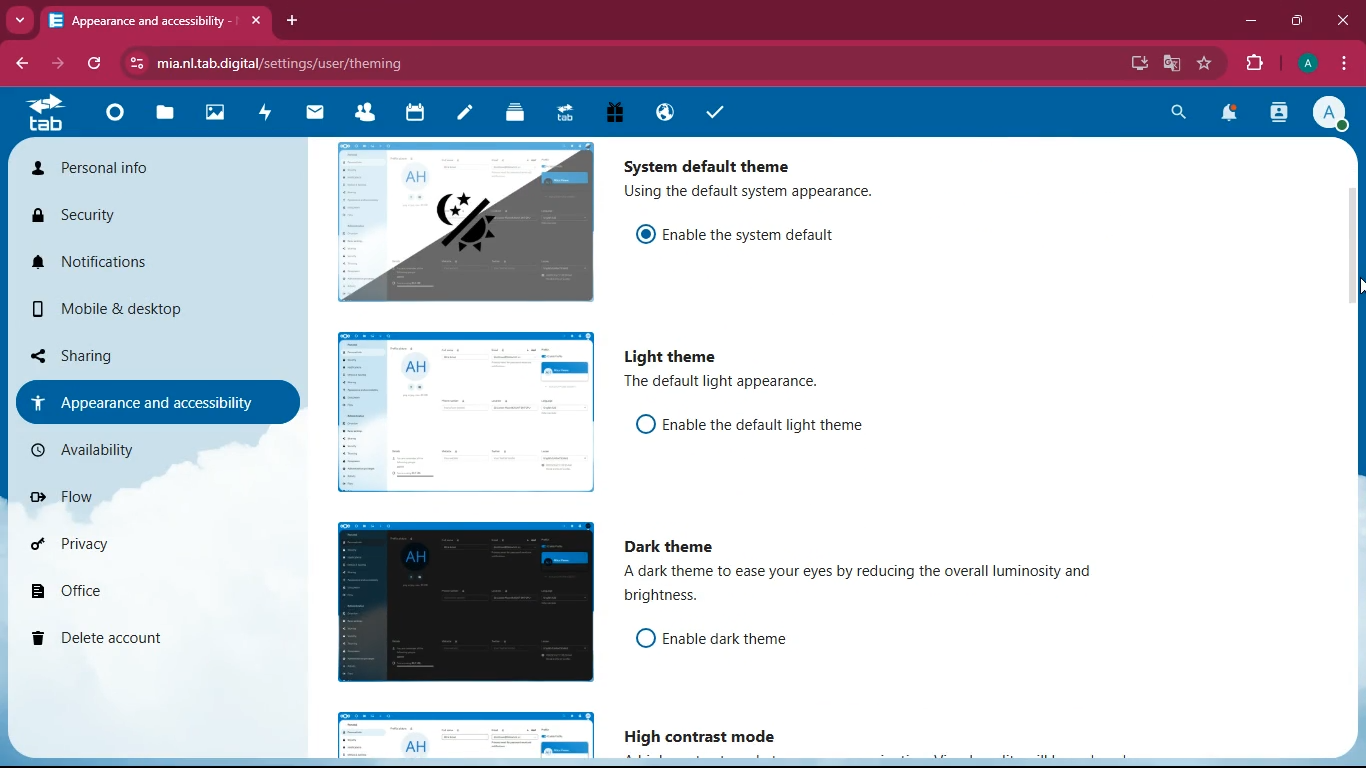 Image resolution: width=1366 pixels, height=768 pixels. What do you see at coordinates (415, 114) in the screenshot?
I see `calendar` at bounding box center [415, 114].